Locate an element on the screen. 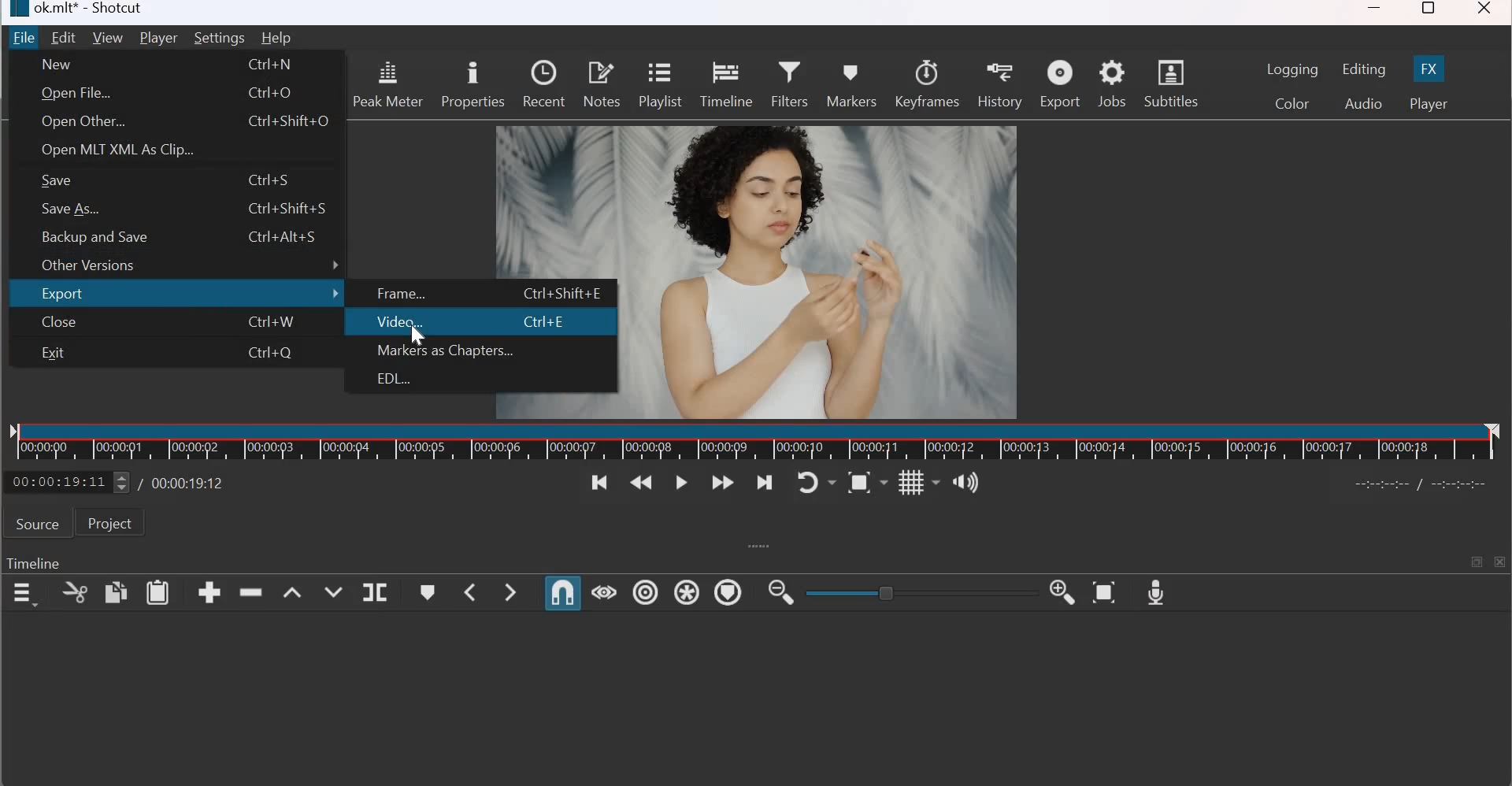 The width and height of the screenshot is (1512, 786). Ctrl+S is located at coordinates (276, 178).